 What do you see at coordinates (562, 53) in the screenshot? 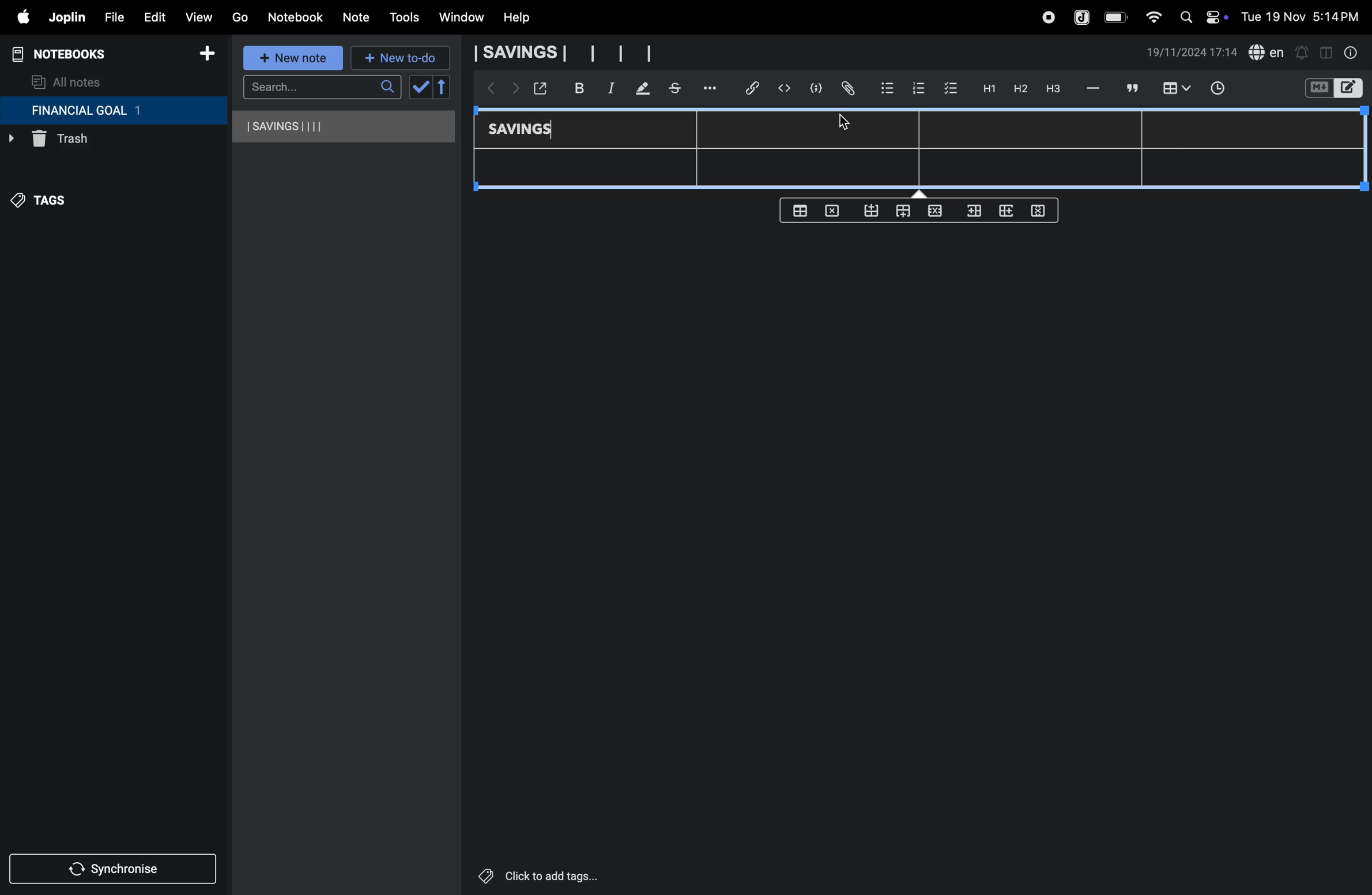
I see `savings` at bounding box center [562, 53].